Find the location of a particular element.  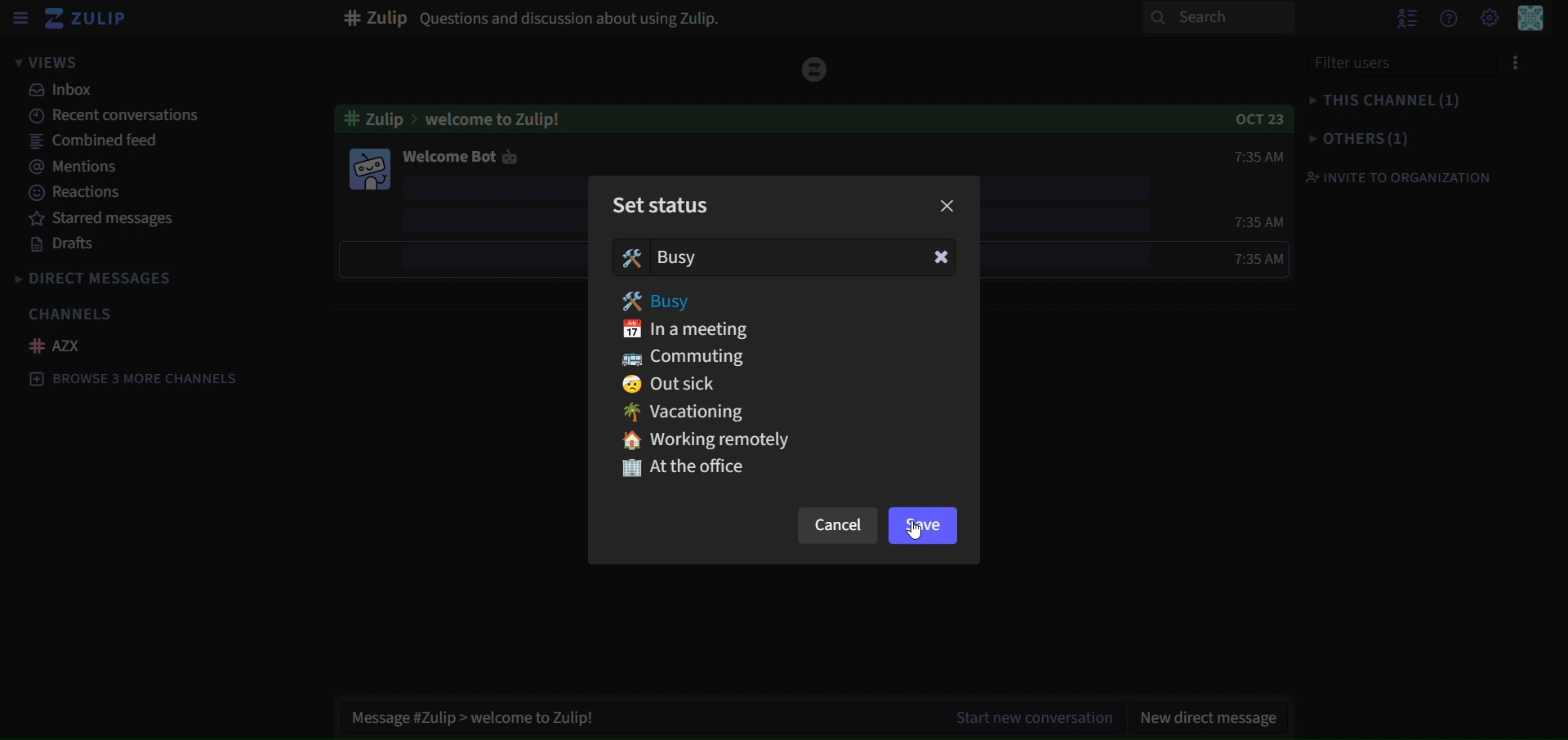

search is located at coordinates (1218, 18).